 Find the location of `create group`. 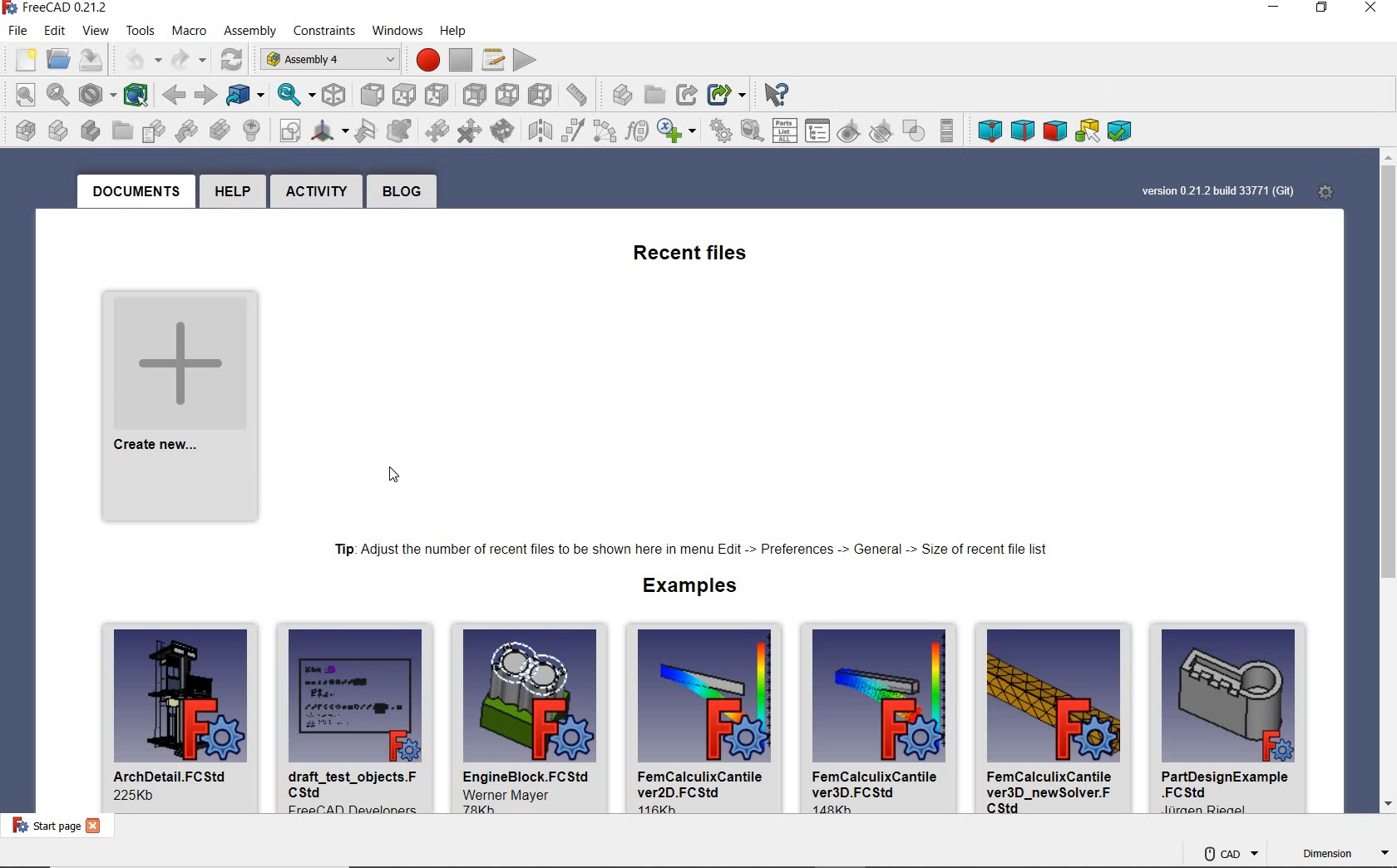

create group is located at coordinates (657, 96).